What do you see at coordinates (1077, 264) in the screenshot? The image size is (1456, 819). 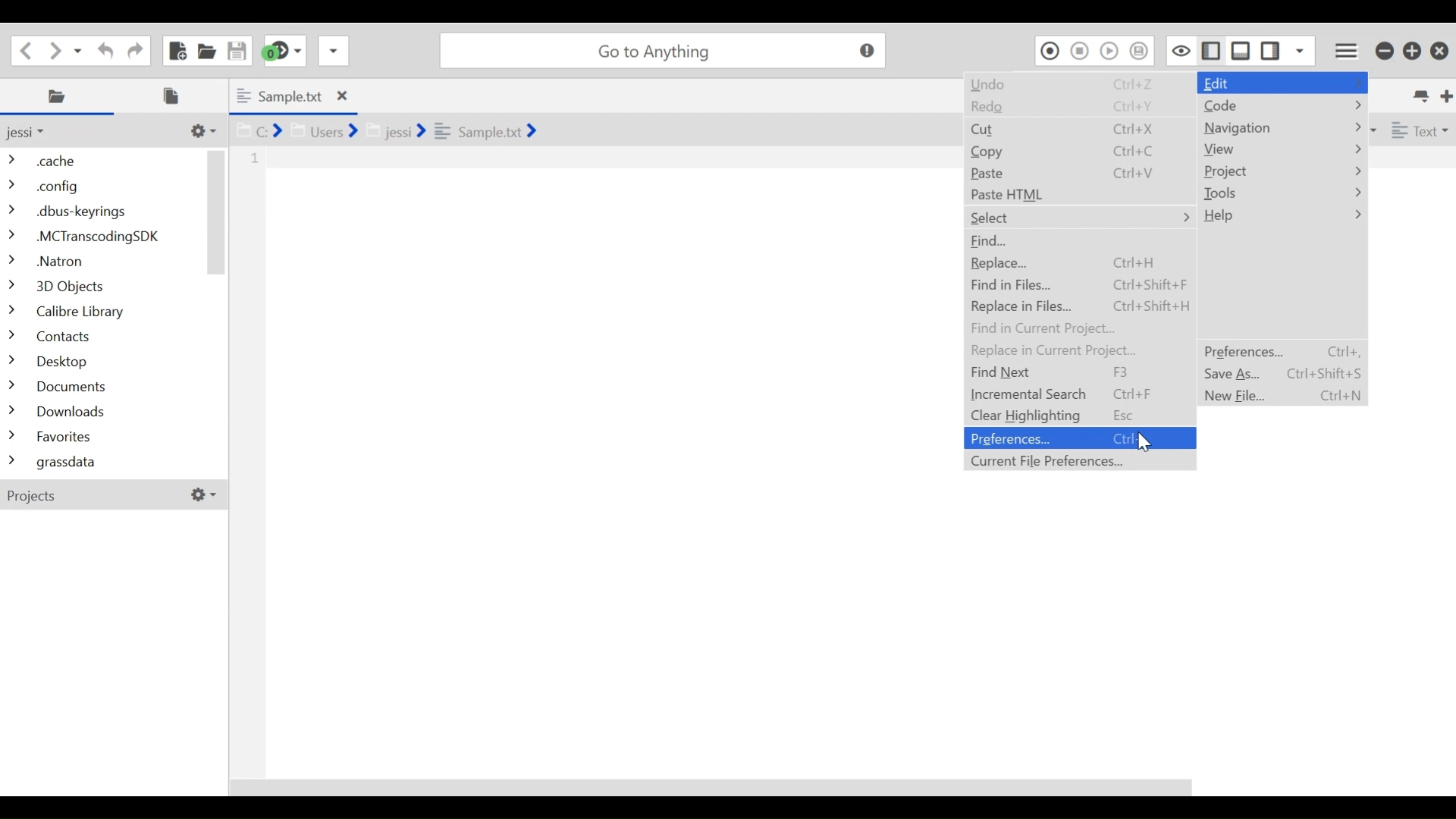 I see `Replace` at bounding box center [1077, 264].